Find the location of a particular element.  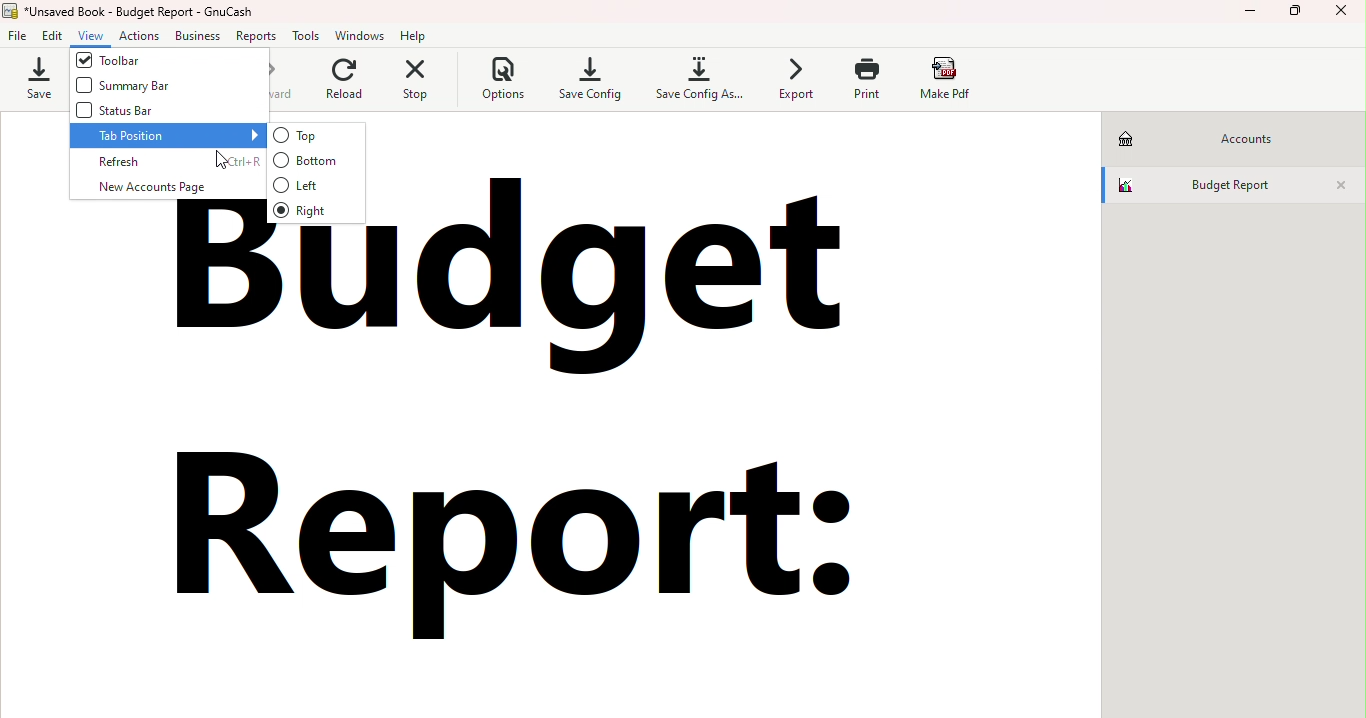

Accounts is located at coordinates (1221, 136).